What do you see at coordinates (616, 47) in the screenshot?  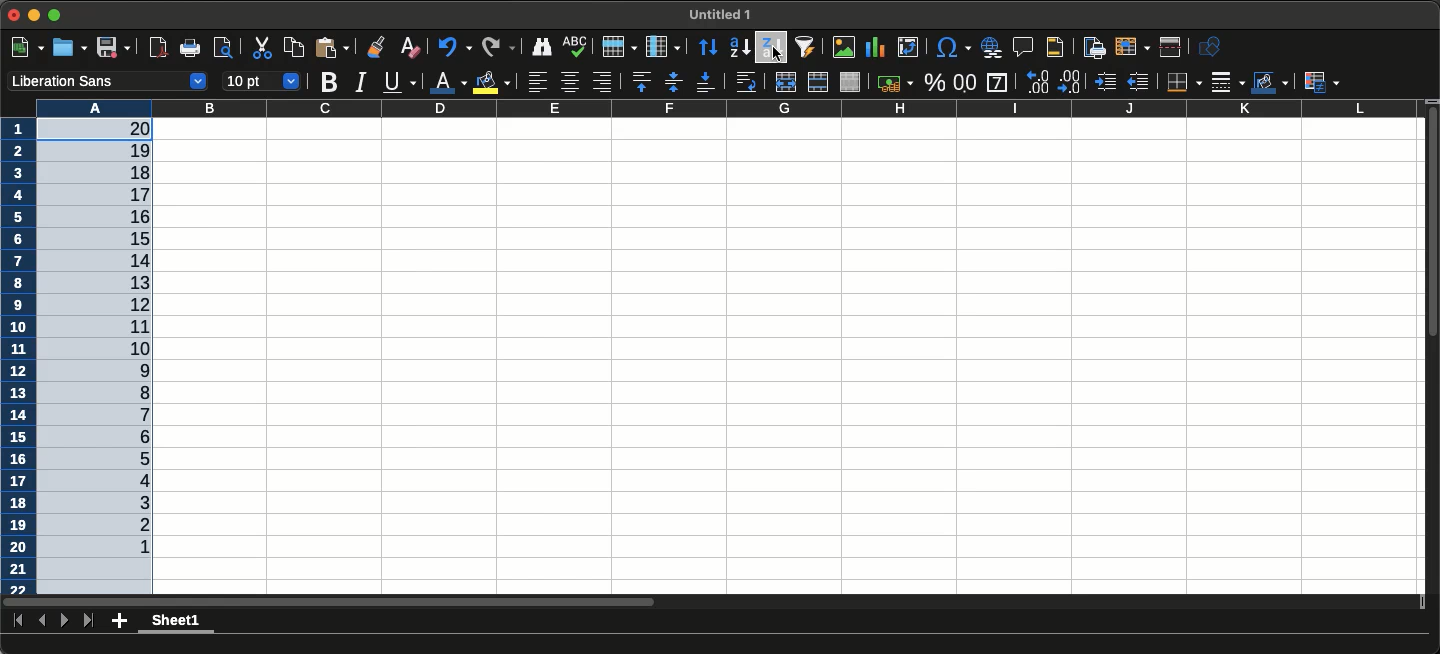 I see `Row` at bounding box center [616, 47].